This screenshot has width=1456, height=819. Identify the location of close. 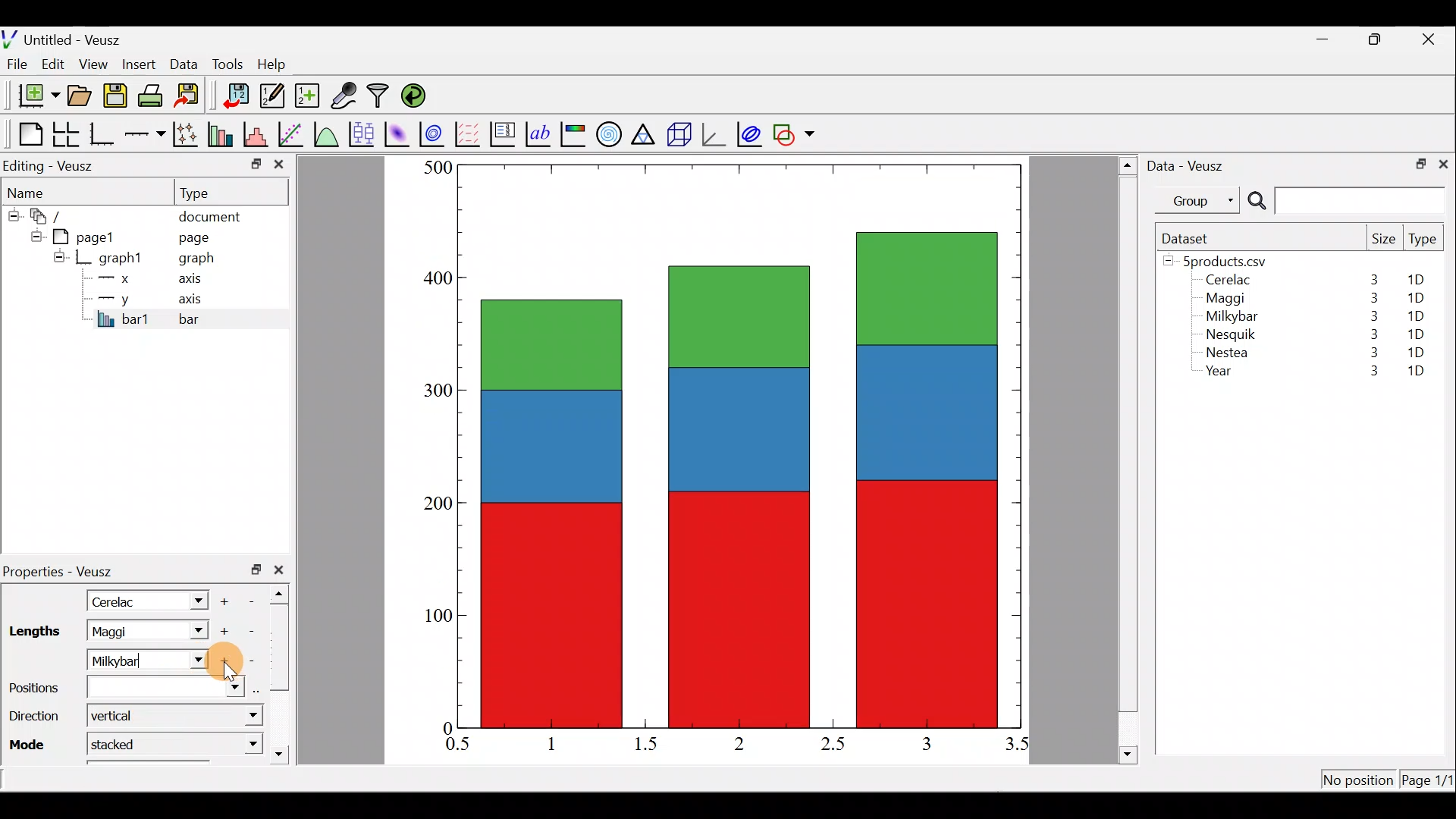
(282, 570).